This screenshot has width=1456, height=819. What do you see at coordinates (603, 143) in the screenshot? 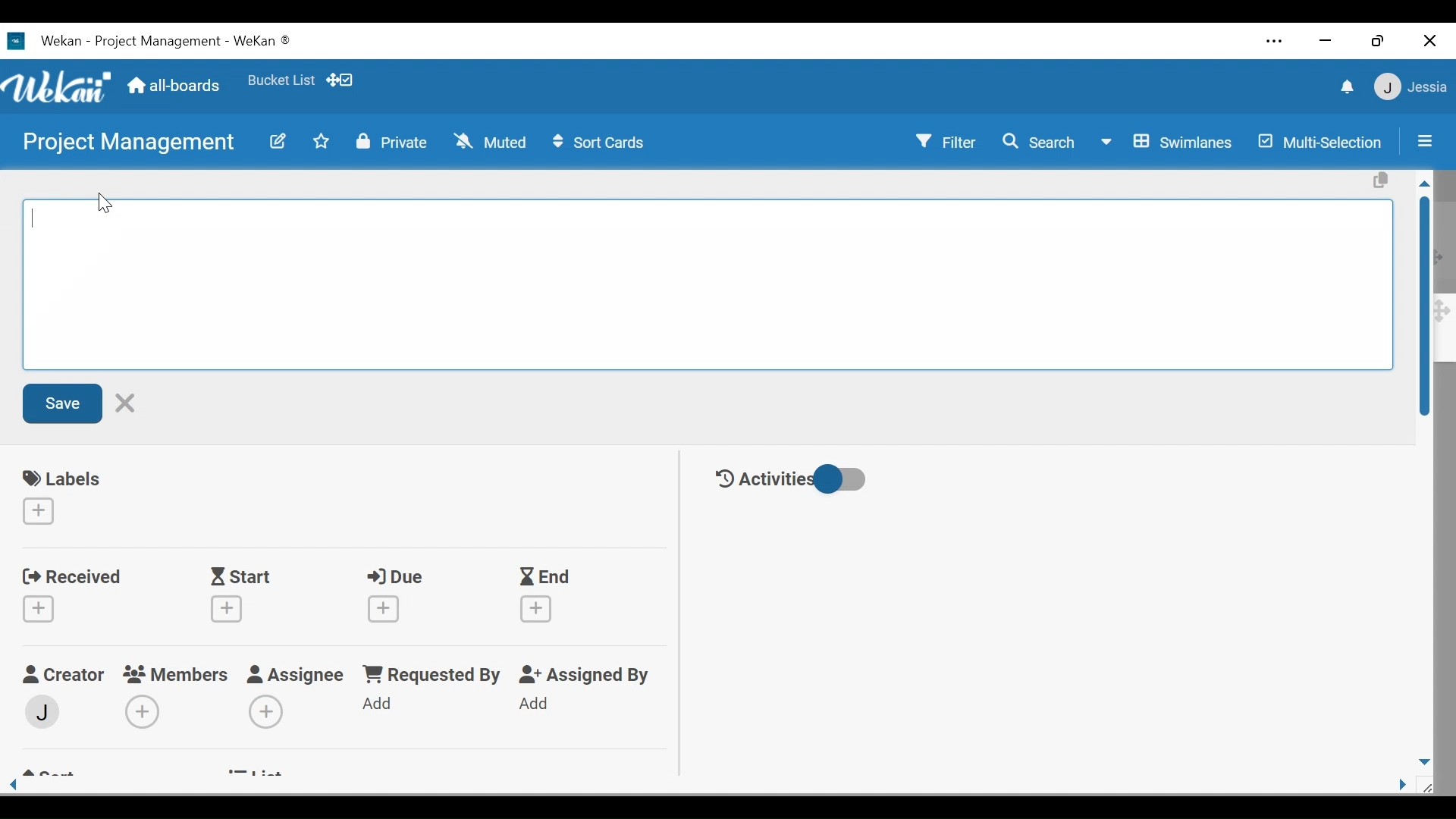
I see `Sort Cards` at bounding box center [603, 143].